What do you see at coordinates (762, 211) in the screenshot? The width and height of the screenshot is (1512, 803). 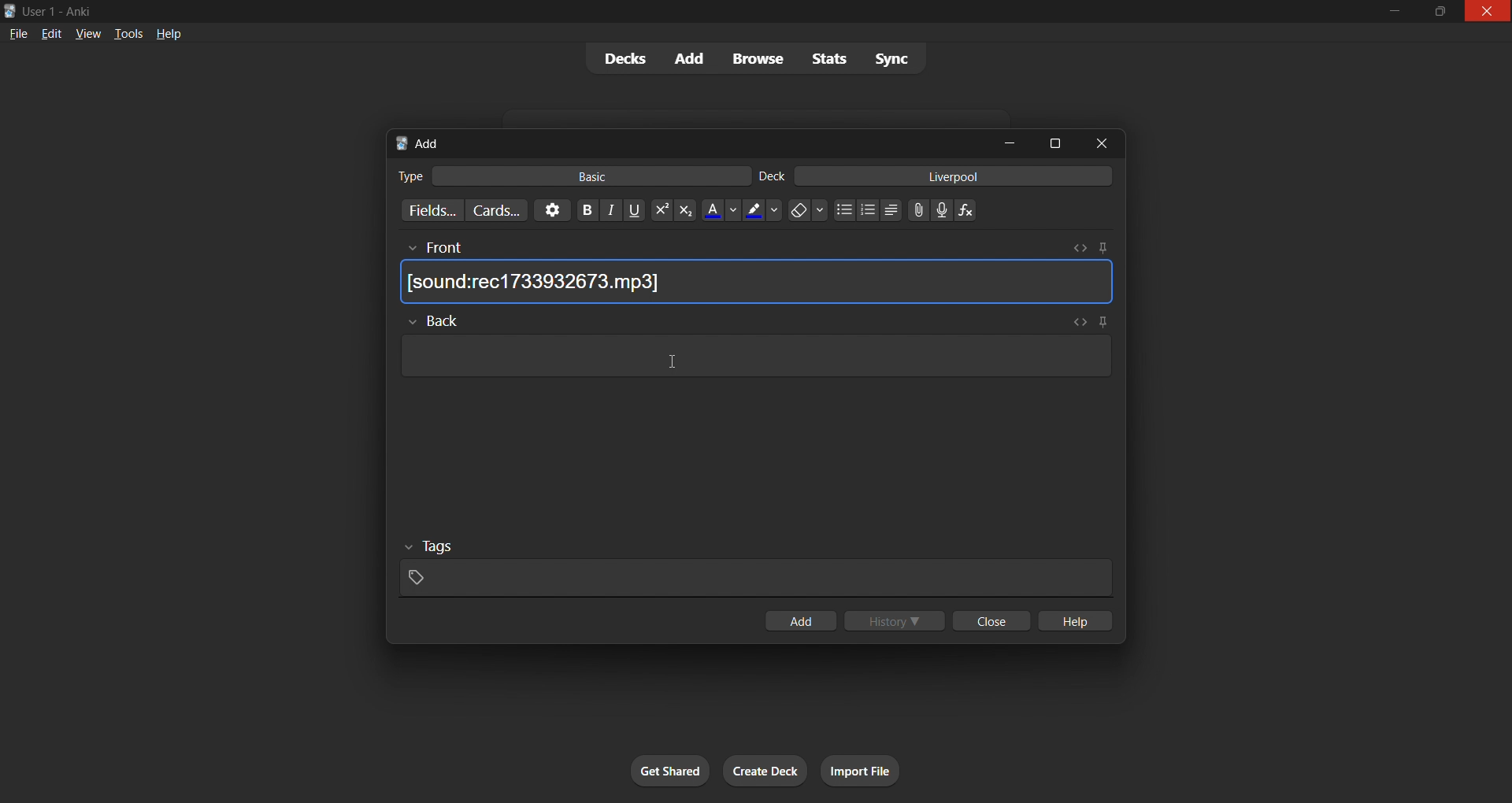 I see `font highlight` at bounding box center [762, 211].